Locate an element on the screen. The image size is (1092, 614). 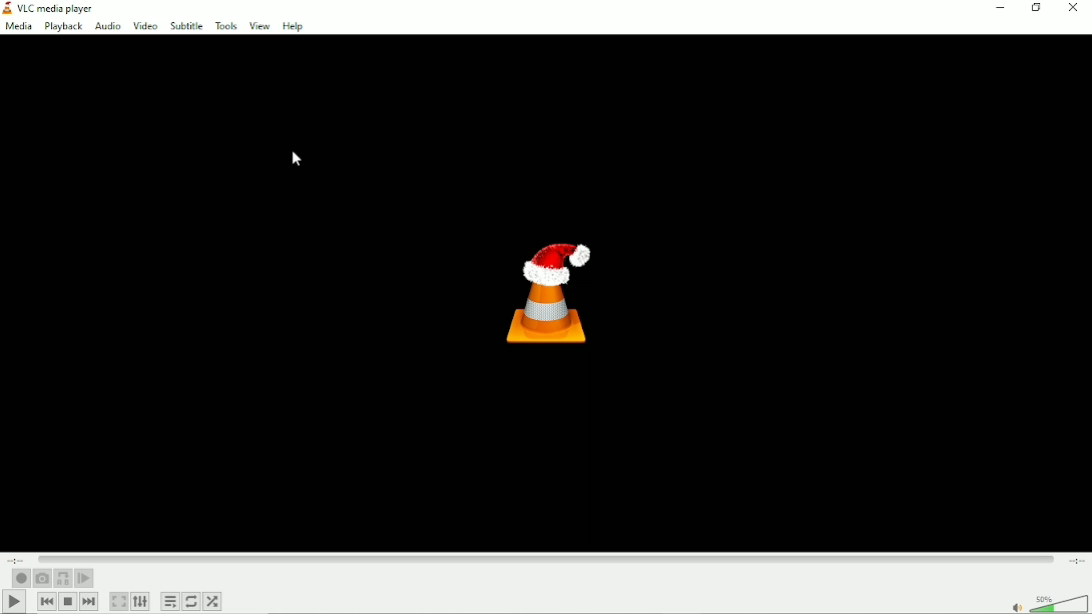
Tools is located at coordinates (224, 25).